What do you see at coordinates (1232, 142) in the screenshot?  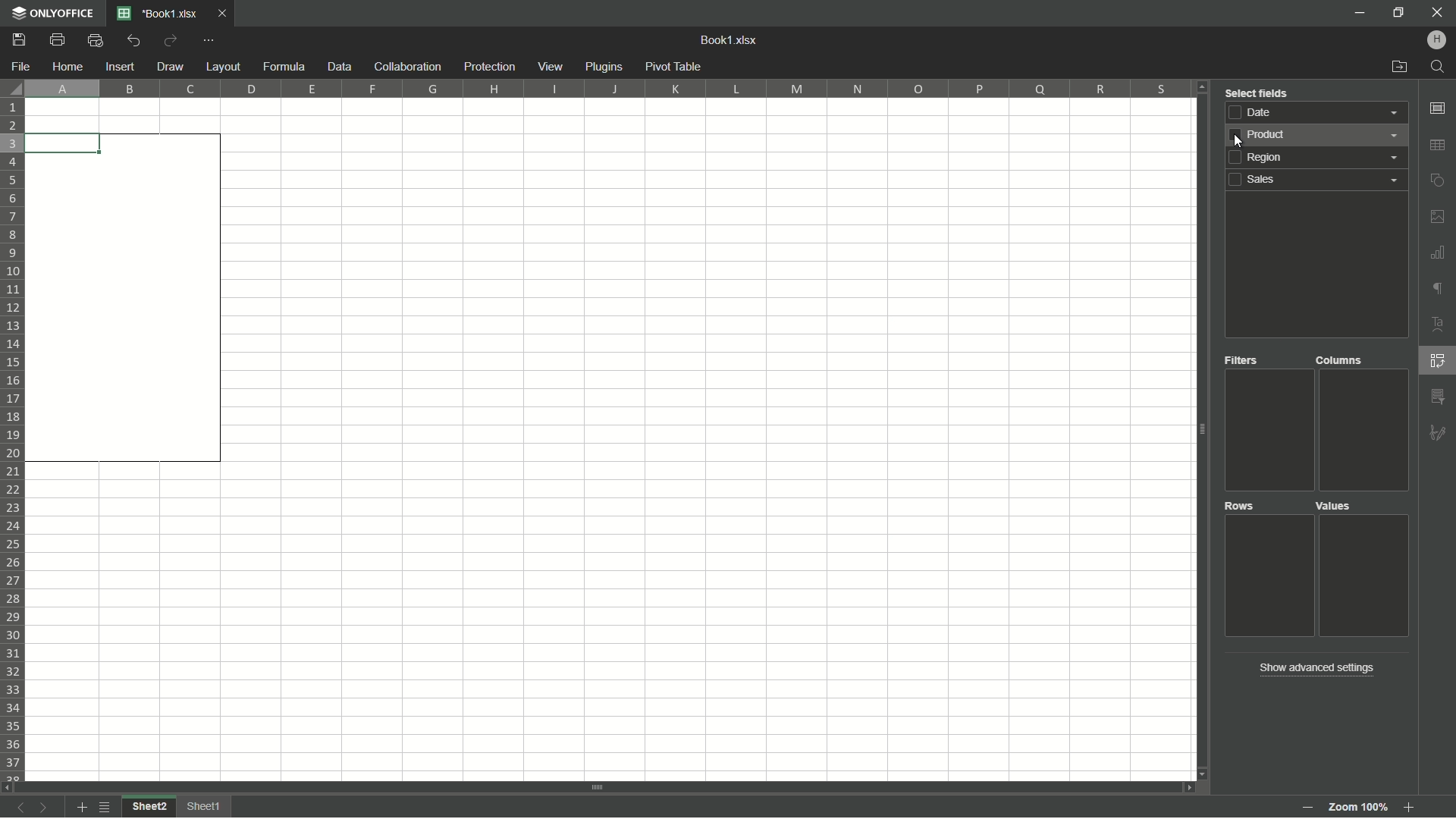 I see `cursor` at bounding box center [1232, 142].